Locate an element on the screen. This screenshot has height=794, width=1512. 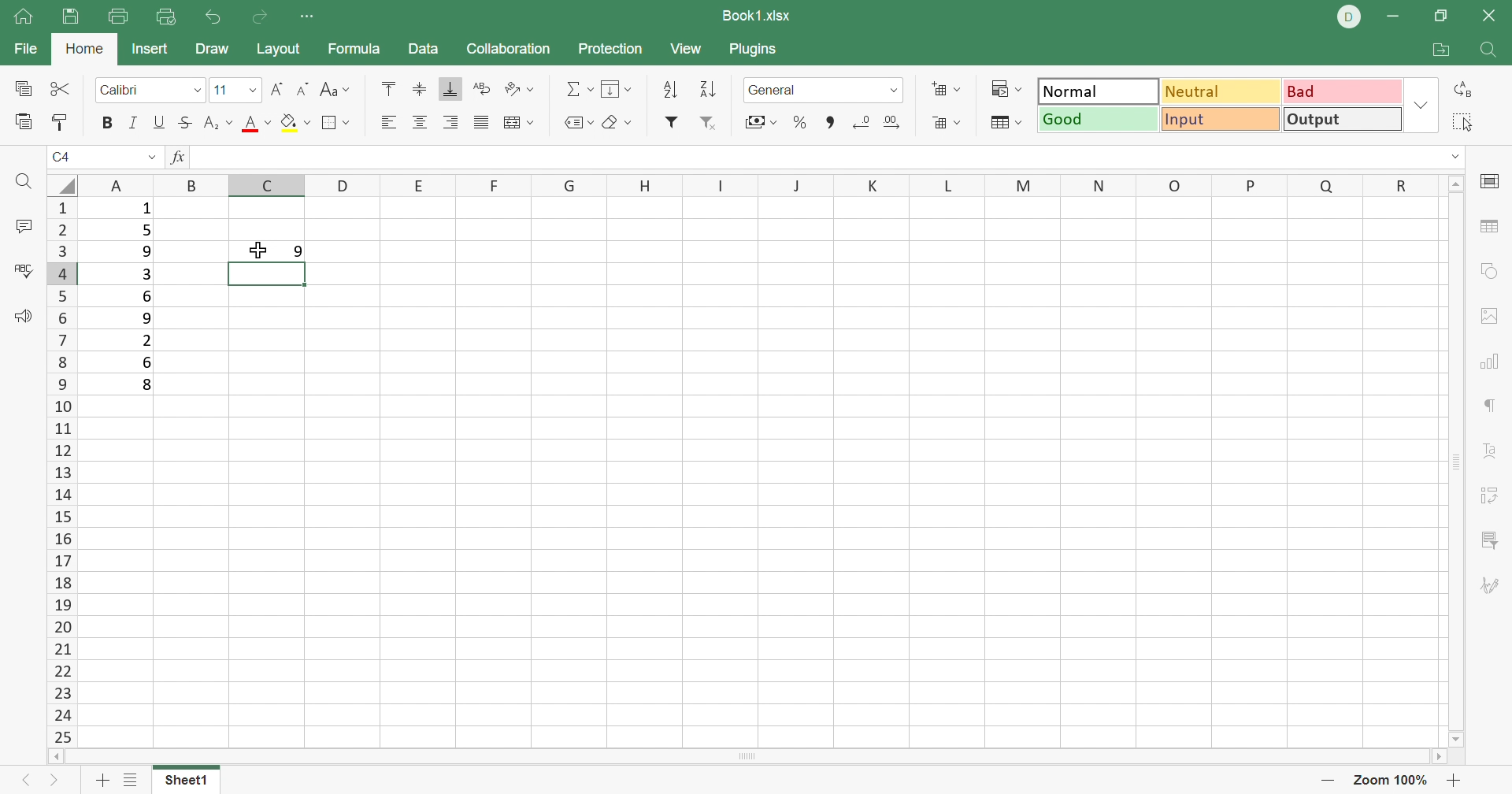
Remove filter is located at coordinates (712, 126).